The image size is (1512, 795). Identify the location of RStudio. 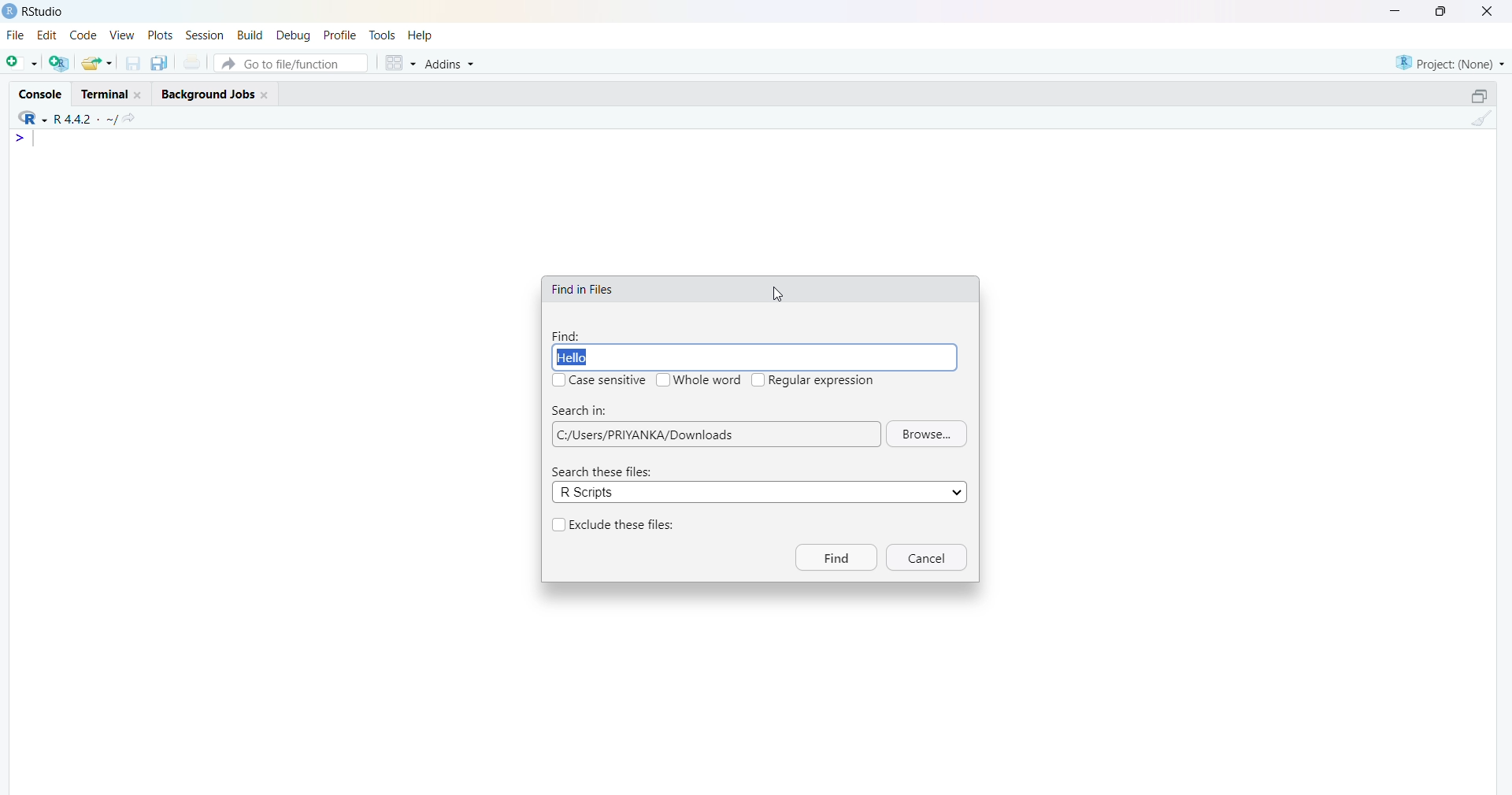
(43, 12).